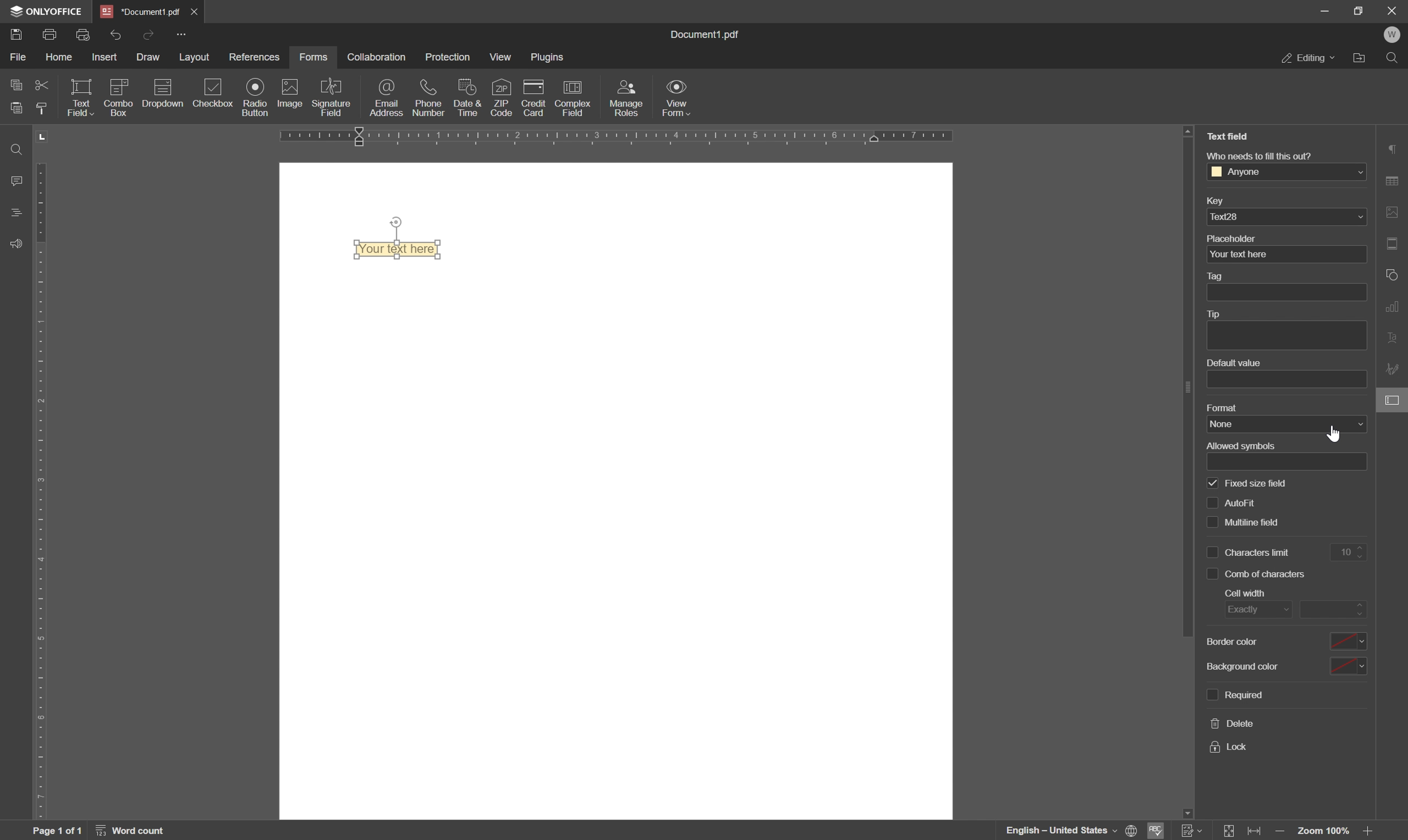 The image size is (1408, 840). What do you see at coordinates (533, 98) in the screenshot?
I see `credit card` at bounding box center [533, 98].